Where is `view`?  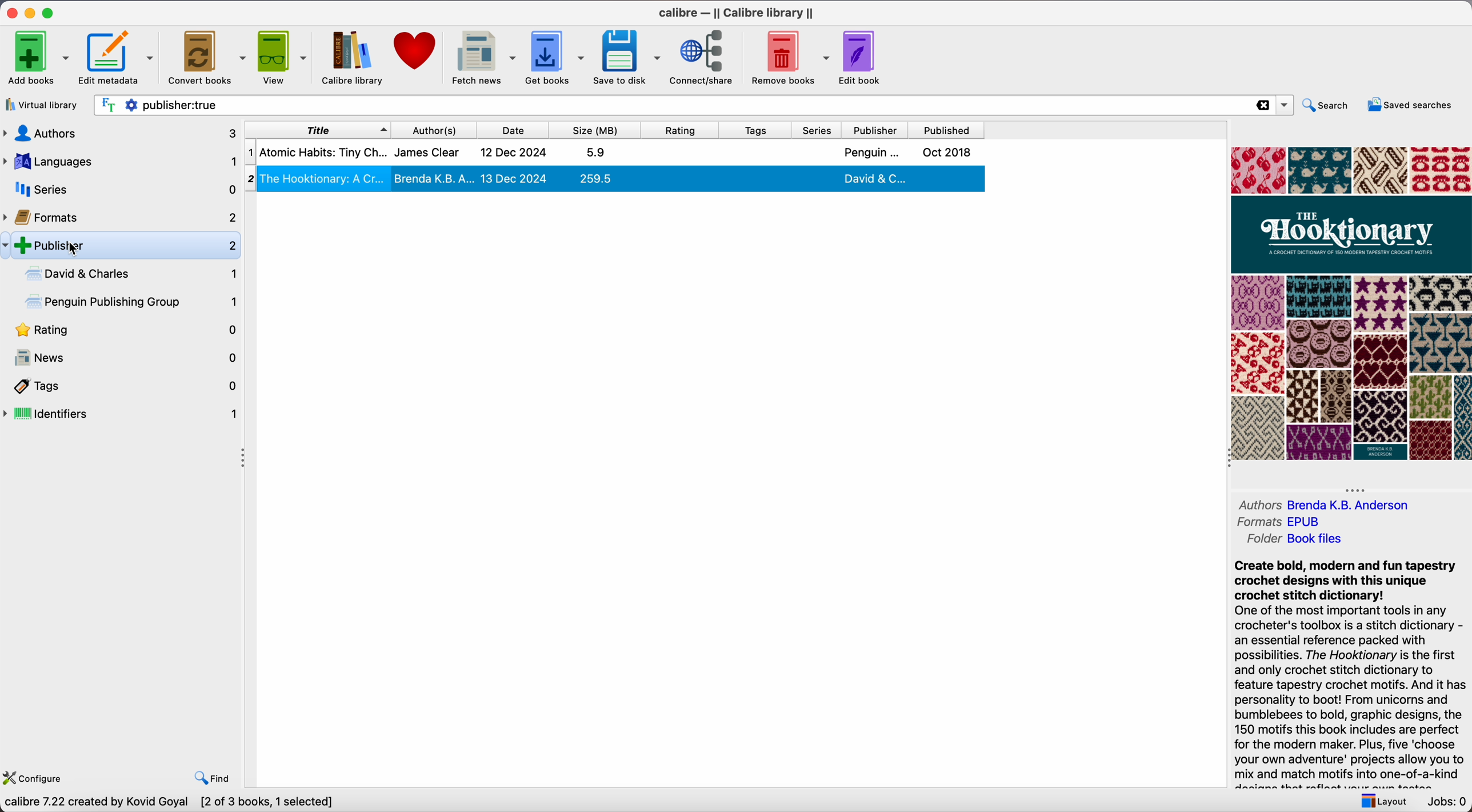 view is located at coordinates (283, 57).